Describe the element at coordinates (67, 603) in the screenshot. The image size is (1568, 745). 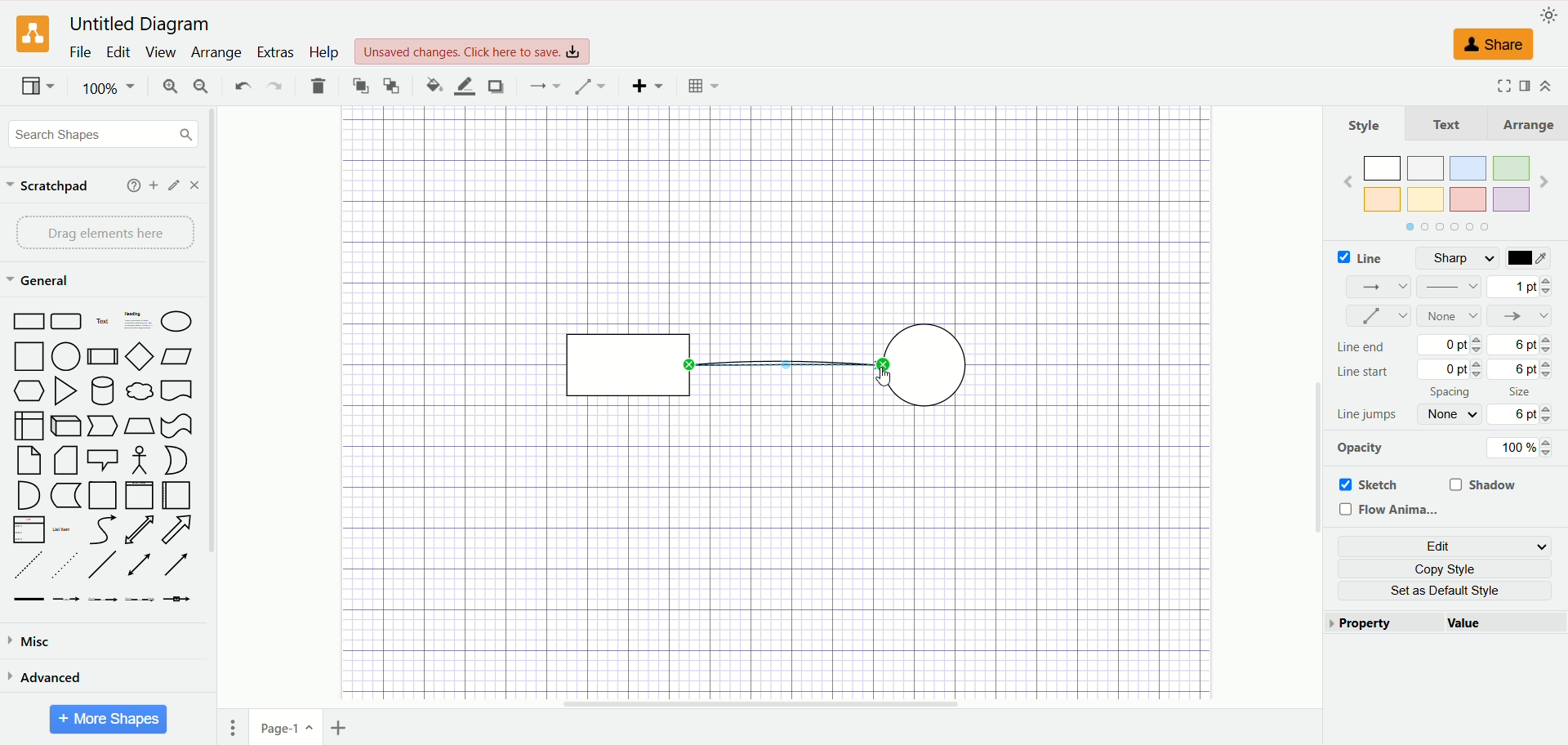
I see `Connector with Label` at that location.